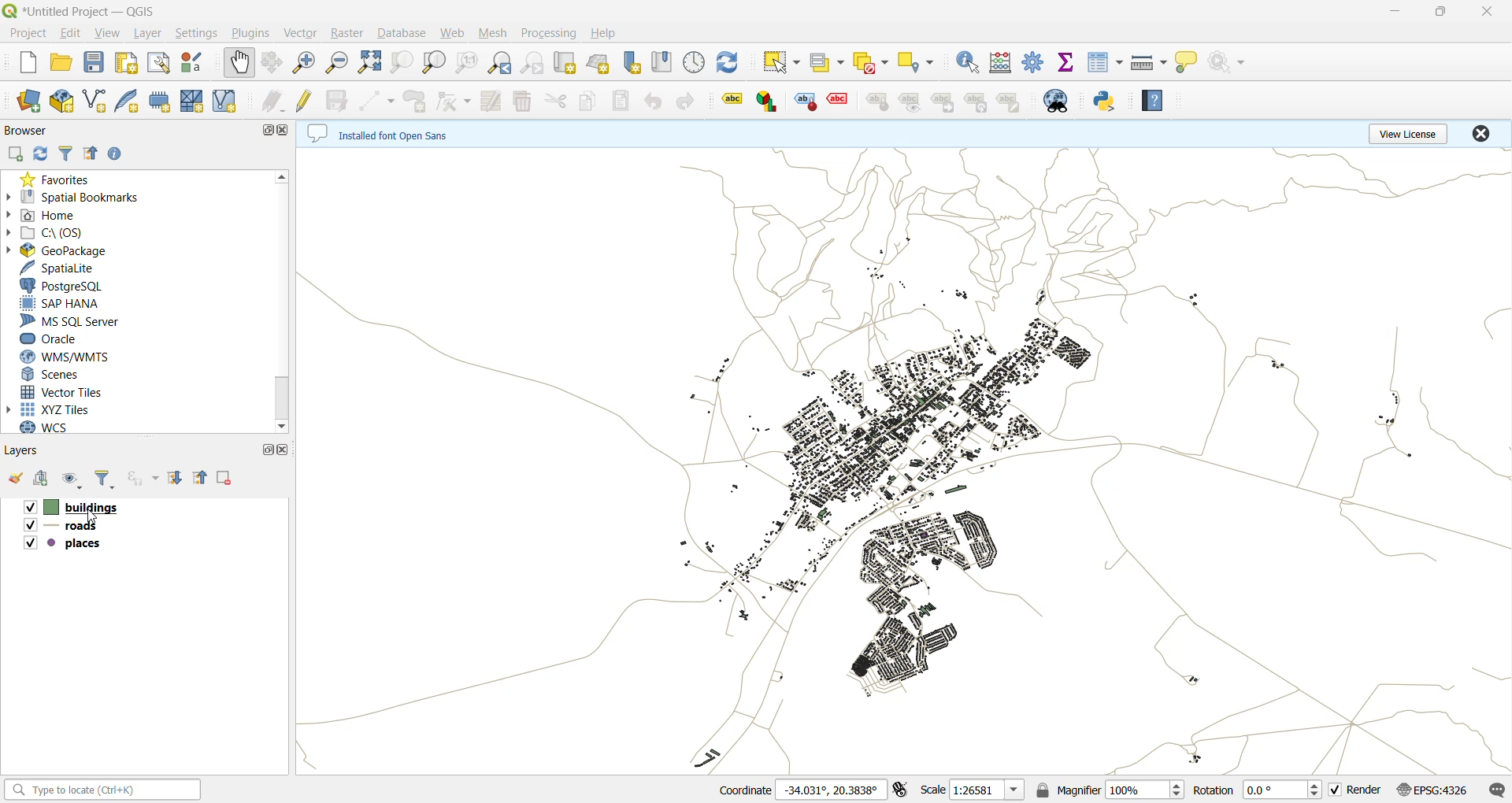  Describe the element at coordinates (339, 62) in the screenshot. I see `zoom out` at that location.